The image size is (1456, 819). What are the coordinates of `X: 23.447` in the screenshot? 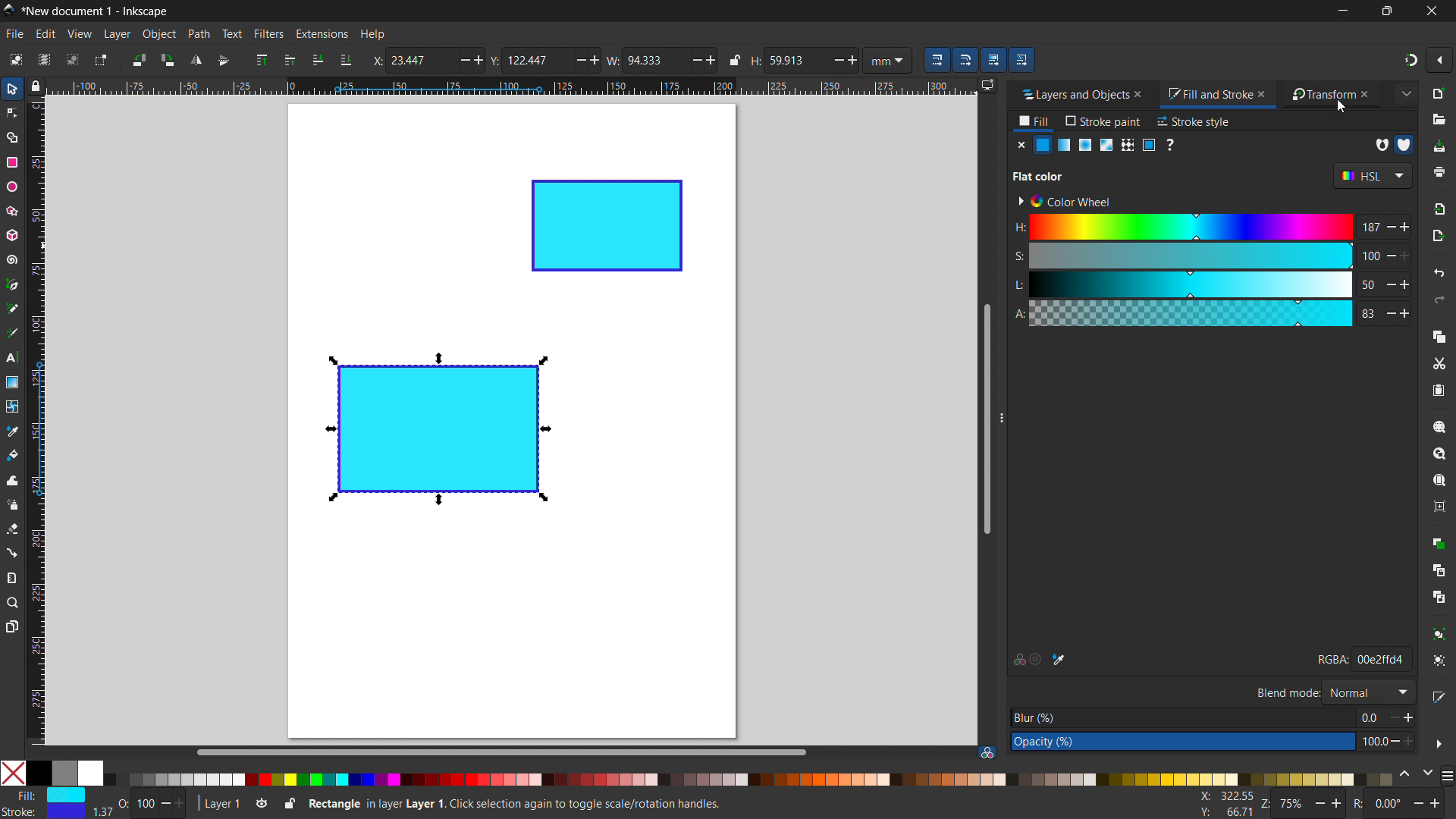 It's located at (409, 60).